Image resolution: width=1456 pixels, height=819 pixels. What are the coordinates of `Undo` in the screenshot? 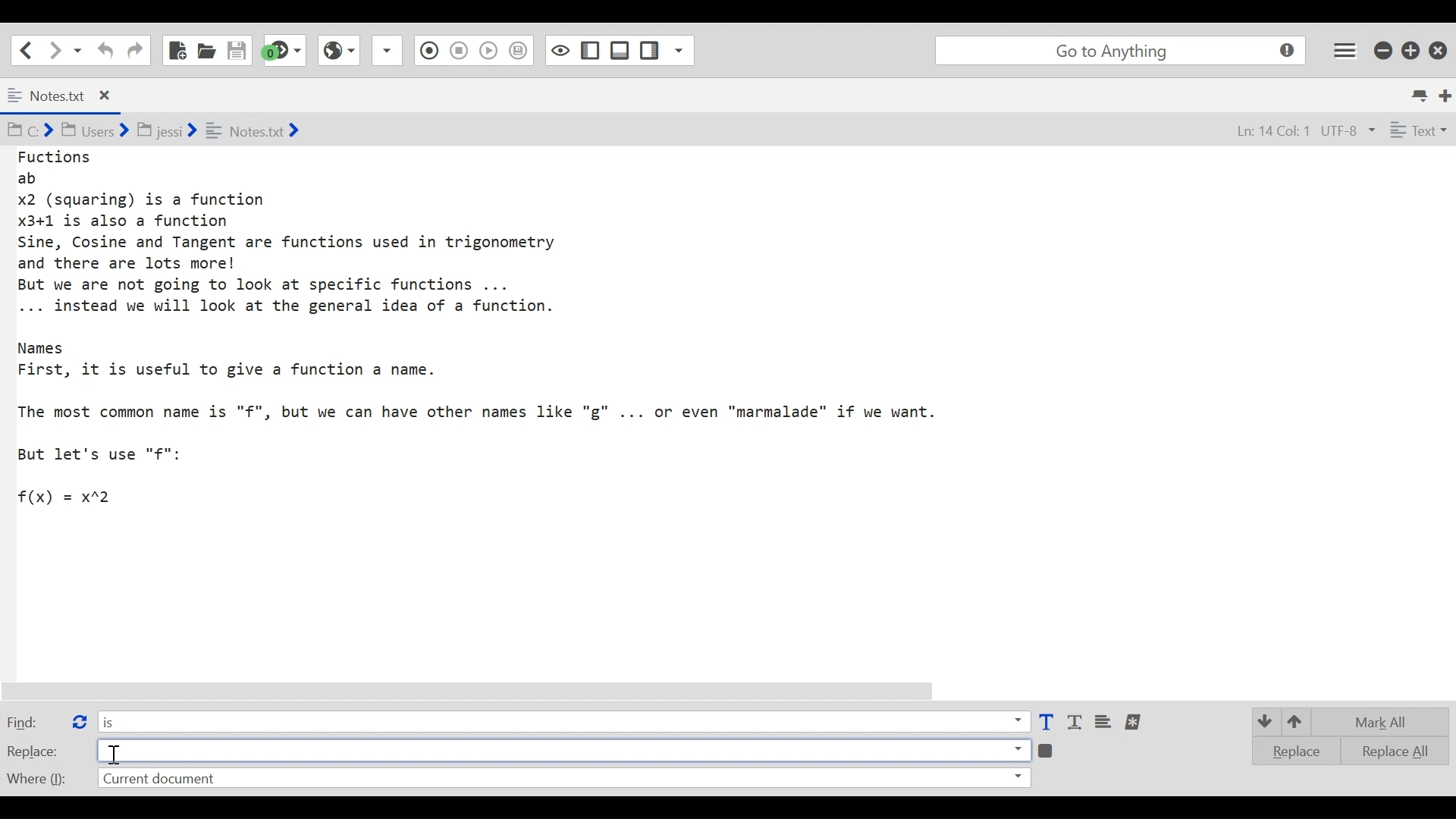 It's located at (103, 50).